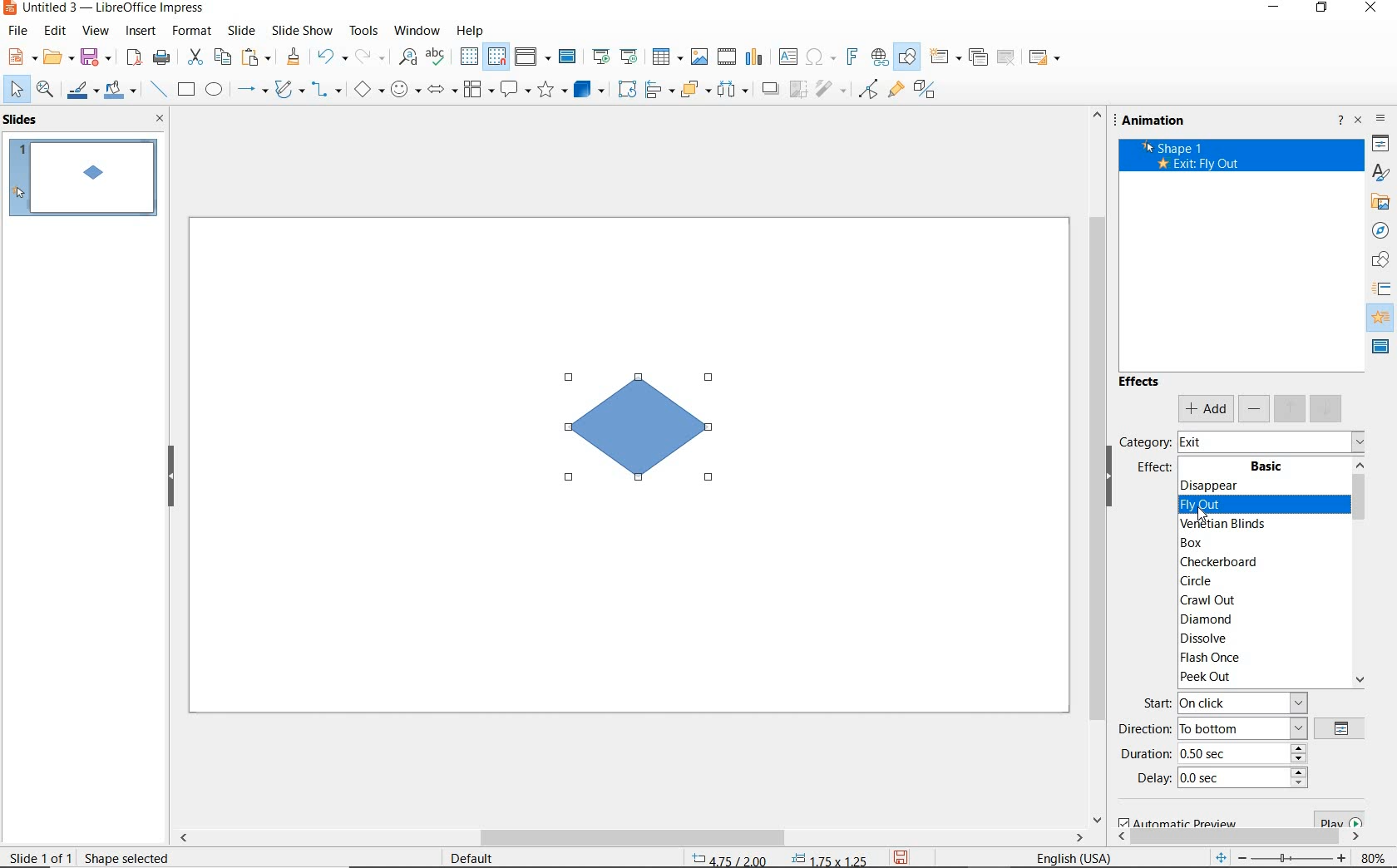 The height and width of the screenshot is (868, 1397). Describe the element at coordinates (728, 59) in the screenshot. I see `insert audio or video` at that location.